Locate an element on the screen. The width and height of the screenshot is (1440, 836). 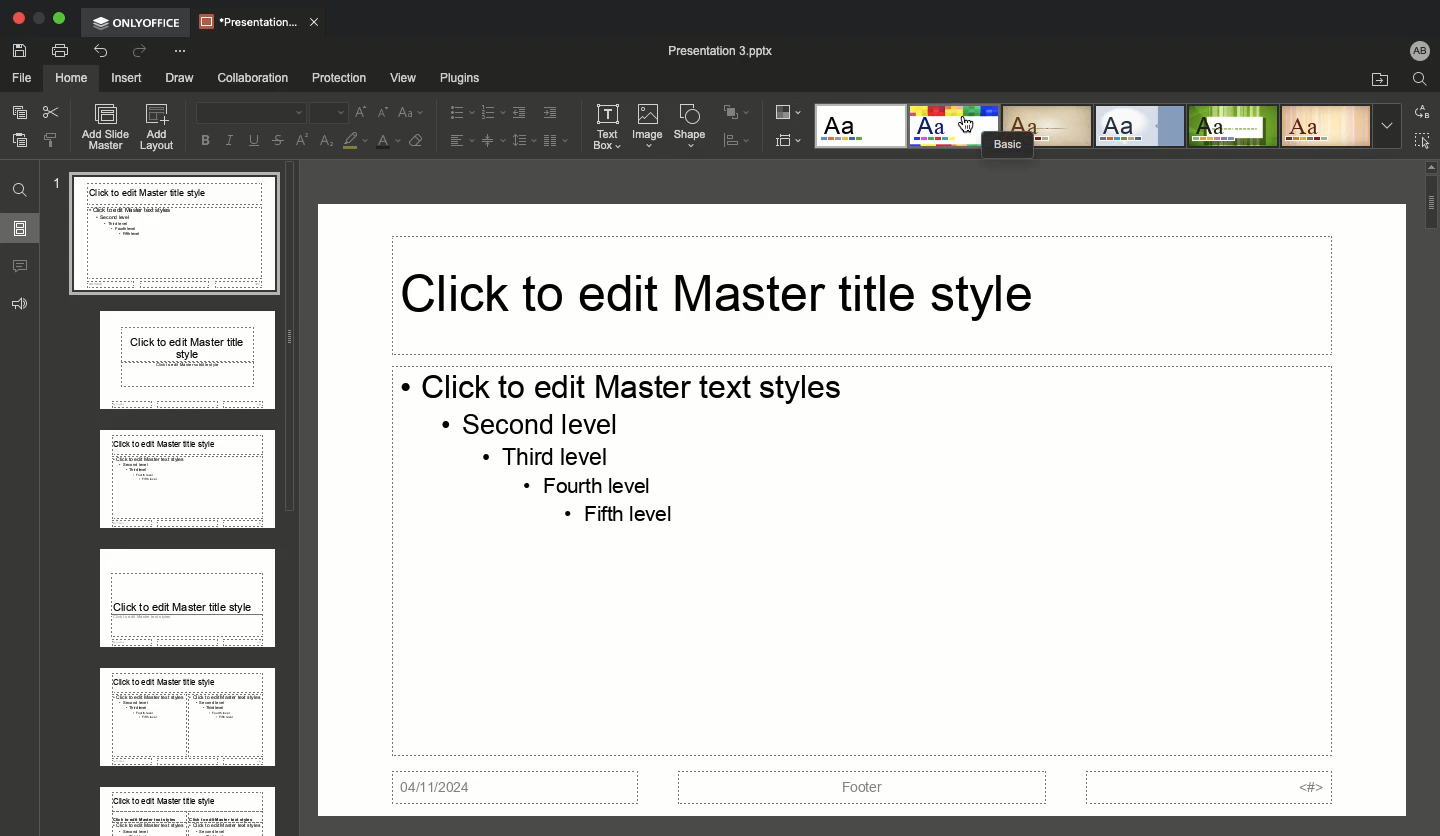
Subscript is located at coordinates (324, 142).